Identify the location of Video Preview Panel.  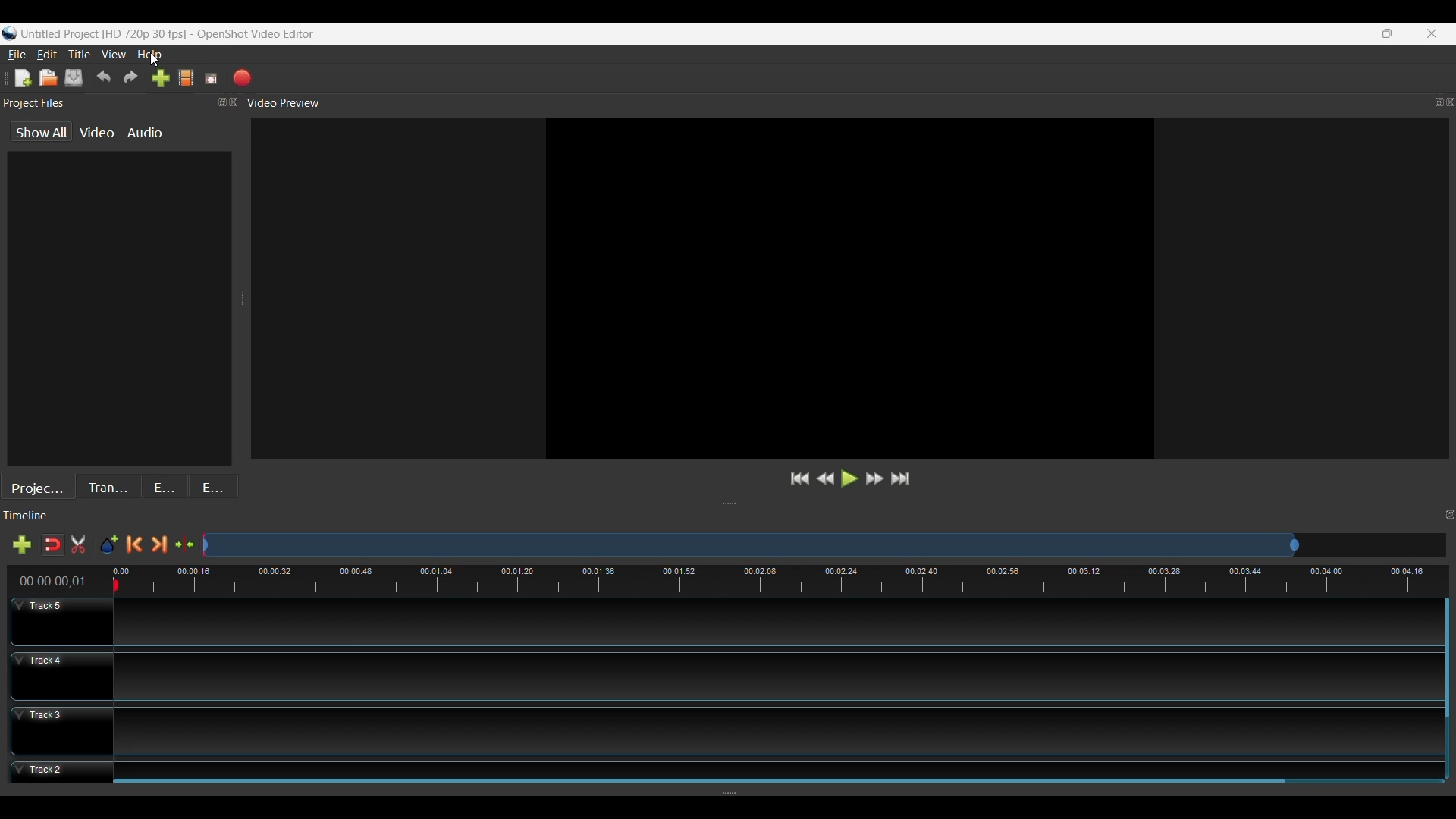
(850, 103).